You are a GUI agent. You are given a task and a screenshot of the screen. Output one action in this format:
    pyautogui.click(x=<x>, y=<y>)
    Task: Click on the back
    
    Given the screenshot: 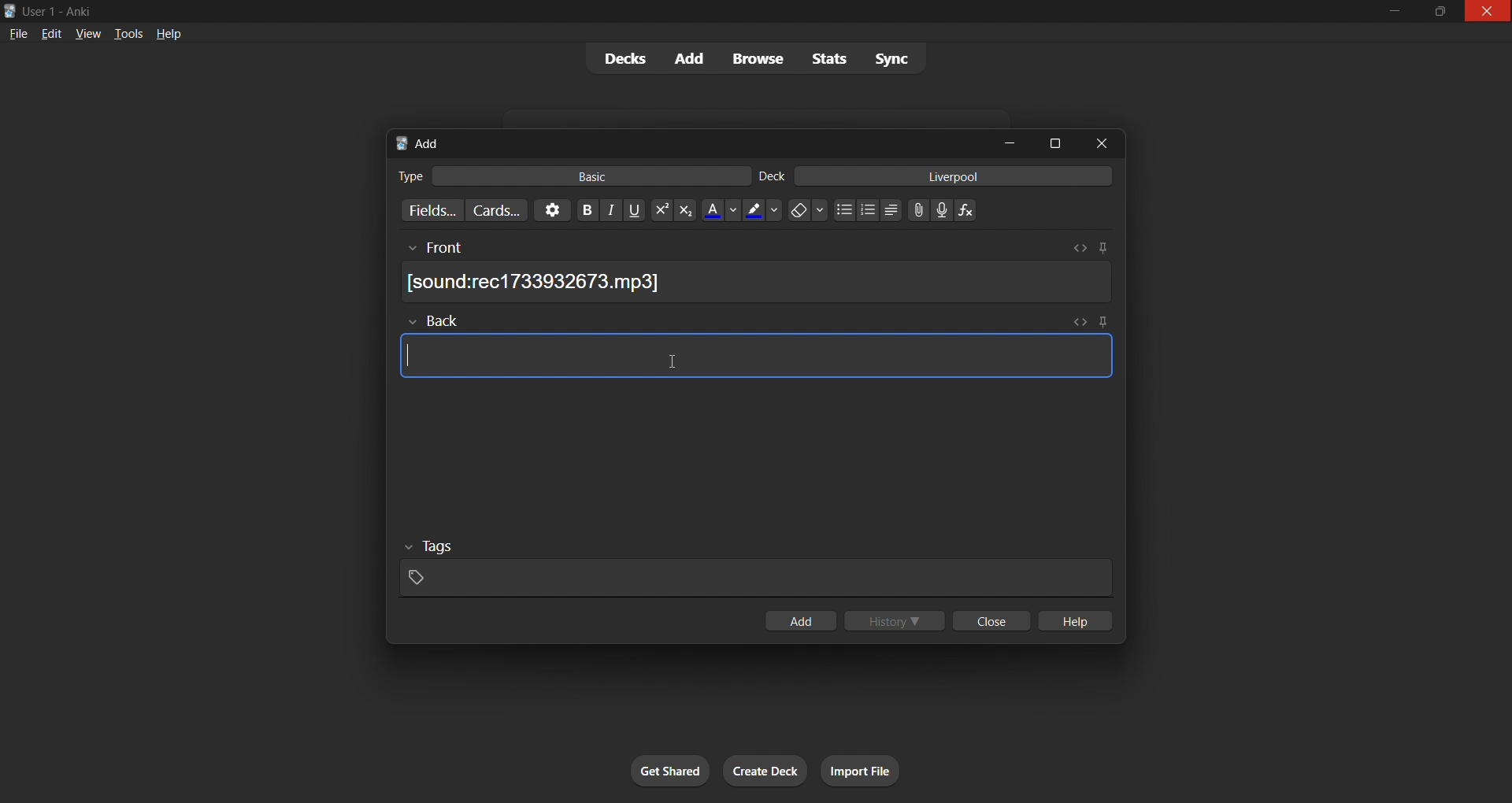 What is the action you would take?
    pyautogui.click(x=752, y=320)
    